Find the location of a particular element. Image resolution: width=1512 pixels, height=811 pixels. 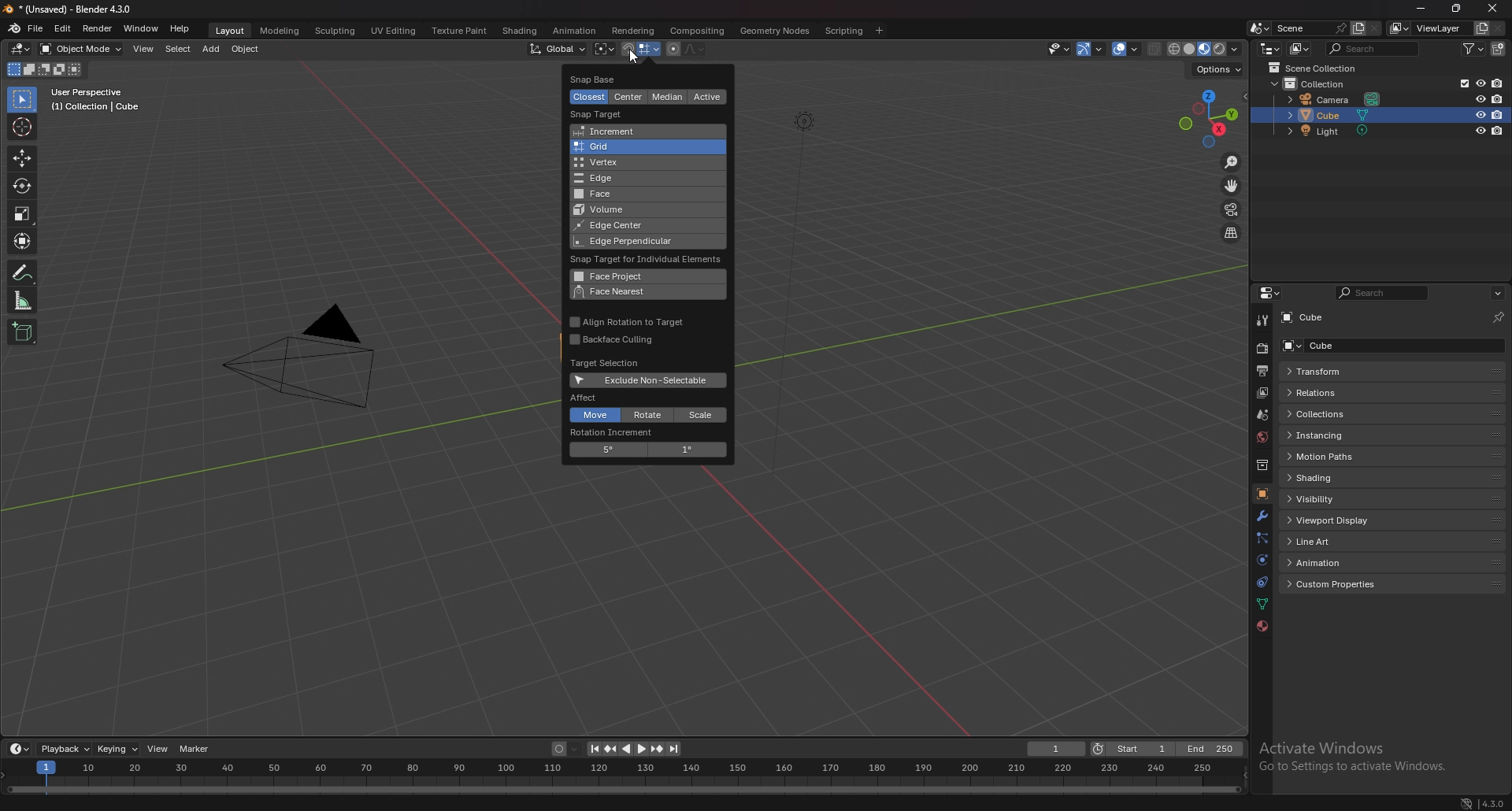

exclude non selectable is located at coordinates (652, 380).